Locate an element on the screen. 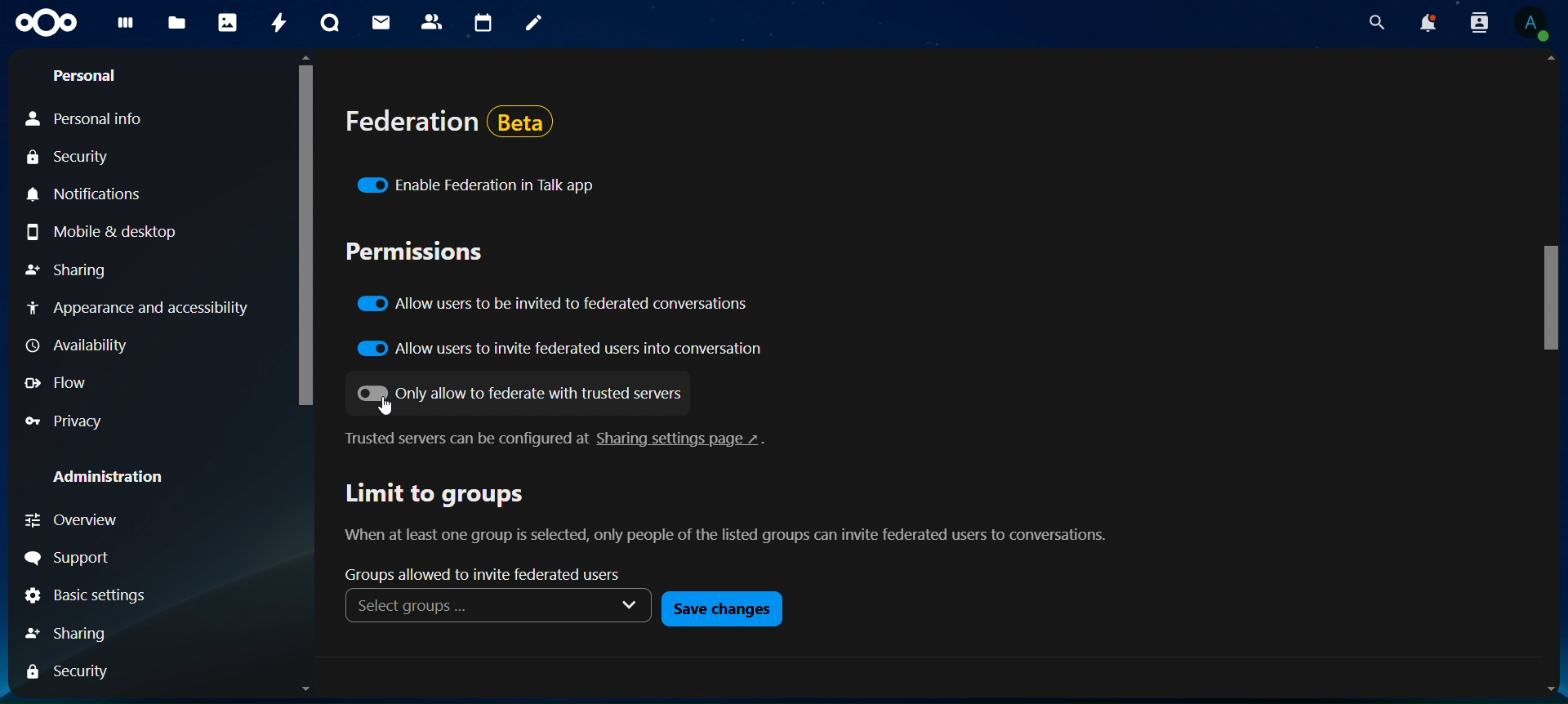 The width and height of the screenshot is (1568, 704). calendar is located at coordinates (485, 25).